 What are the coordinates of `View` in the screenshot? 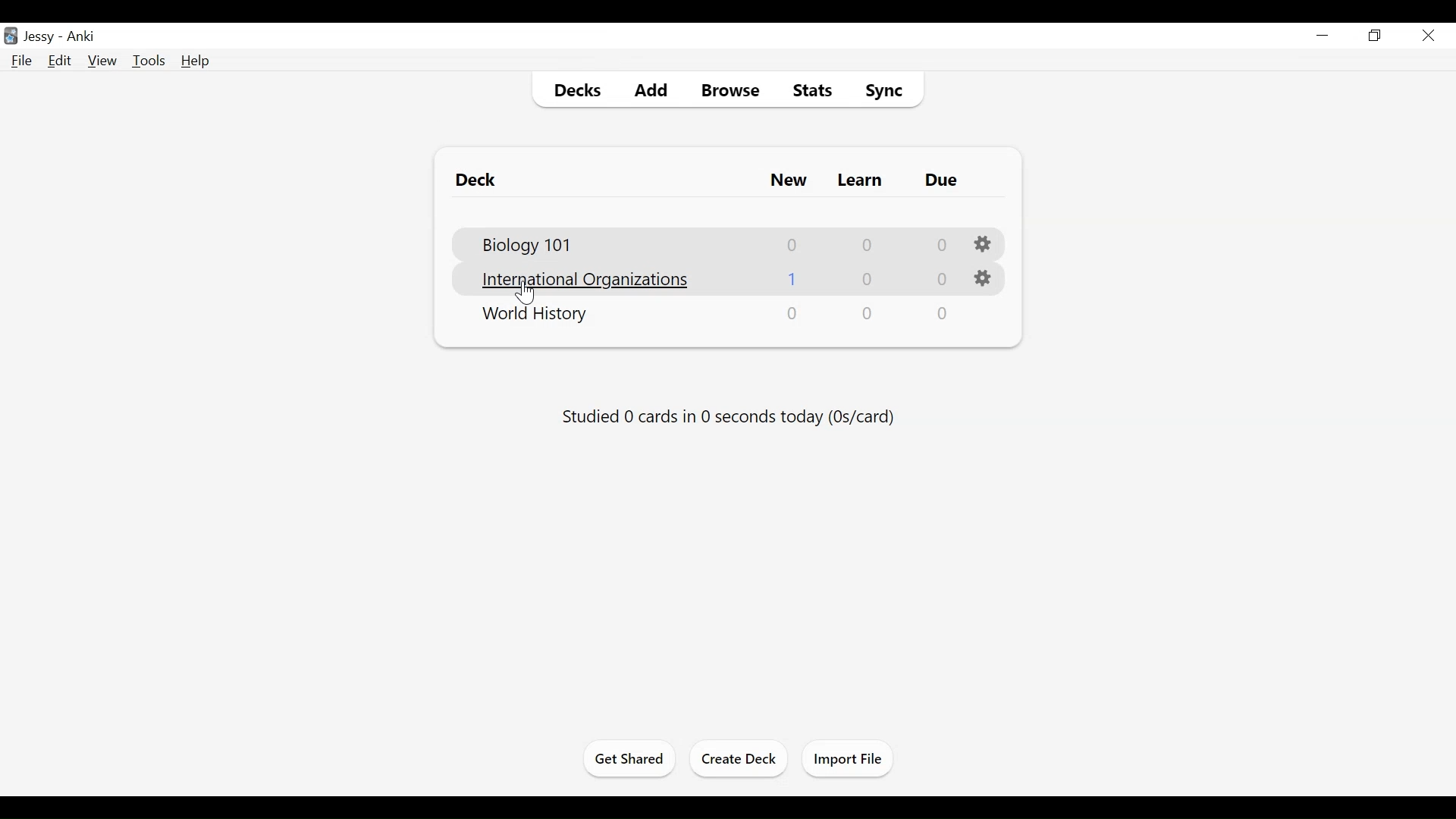 It's located at (102, 60).